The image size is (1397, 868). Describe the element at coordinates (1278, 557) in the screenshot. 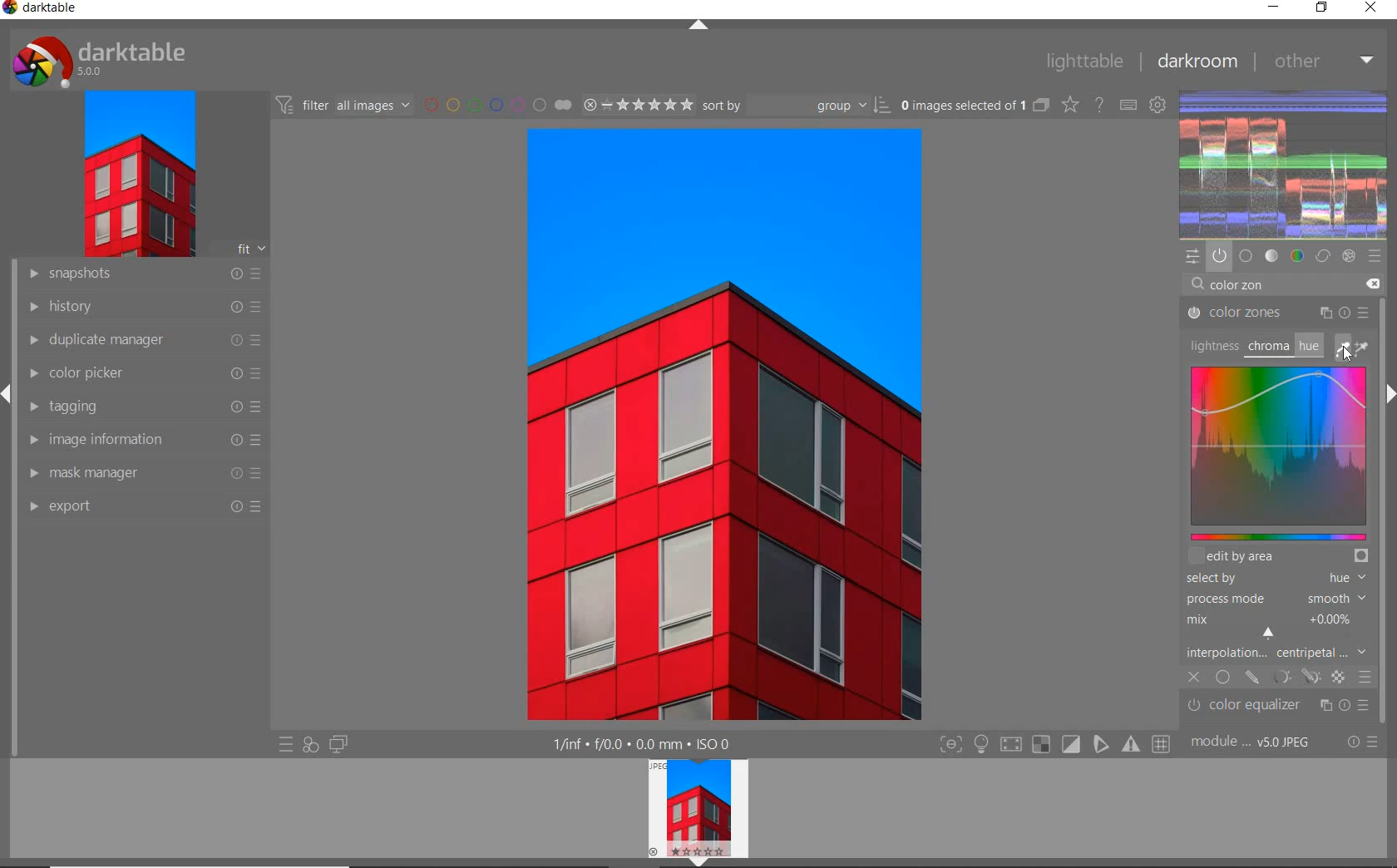

I see `EDIT BY AREA` at that location.